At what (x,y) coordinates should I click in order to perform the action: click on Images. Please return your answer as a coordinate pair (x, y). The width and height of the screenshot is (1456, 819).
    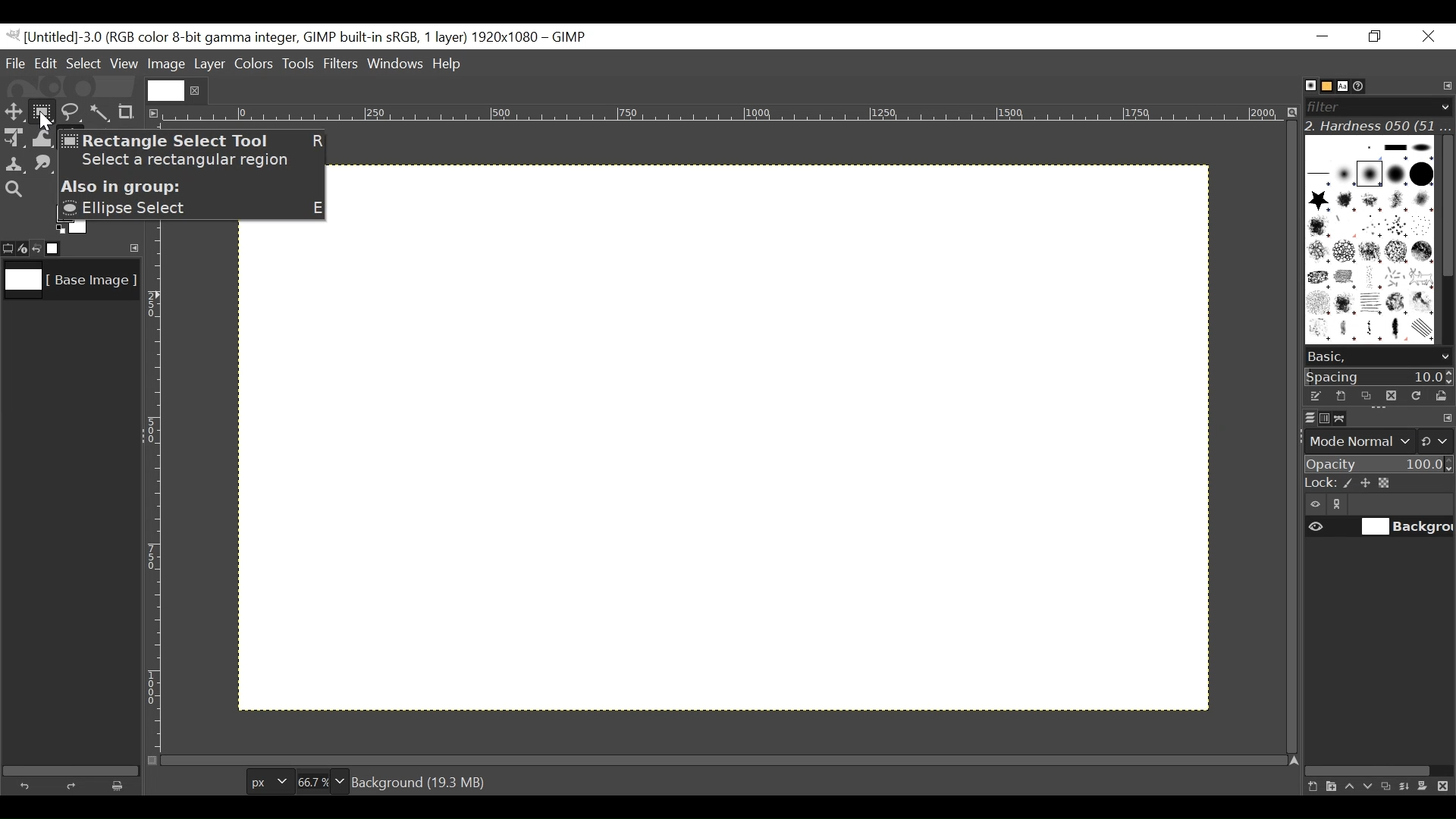
    Looking at the image, I should click on (63, 249).